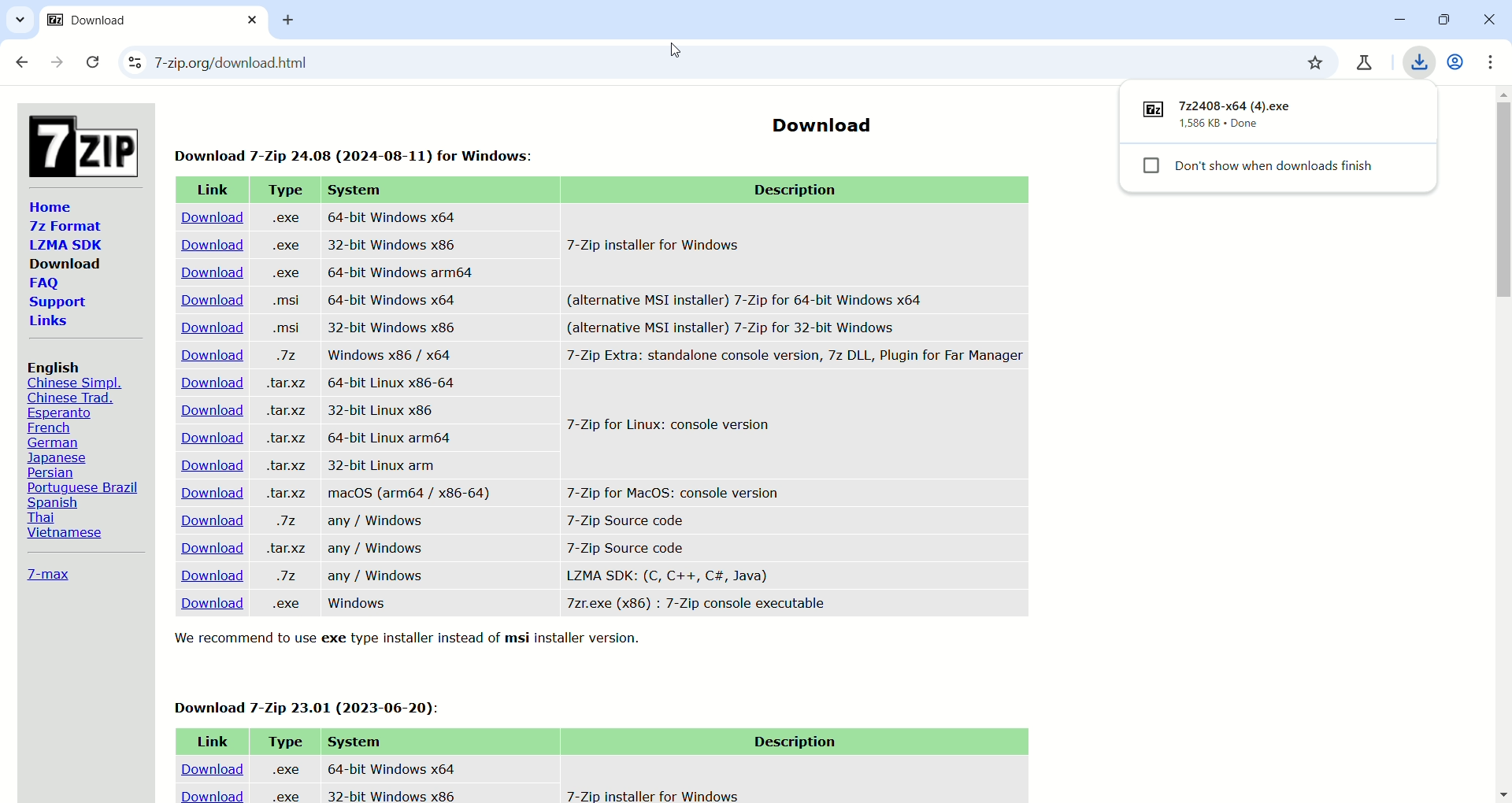 Image resolution: width=1512 pixels, height=803 pixels. What do you see at coordinates (285, 244) in the screenshot?
I see `.exe` at bounding box center [285, 244].